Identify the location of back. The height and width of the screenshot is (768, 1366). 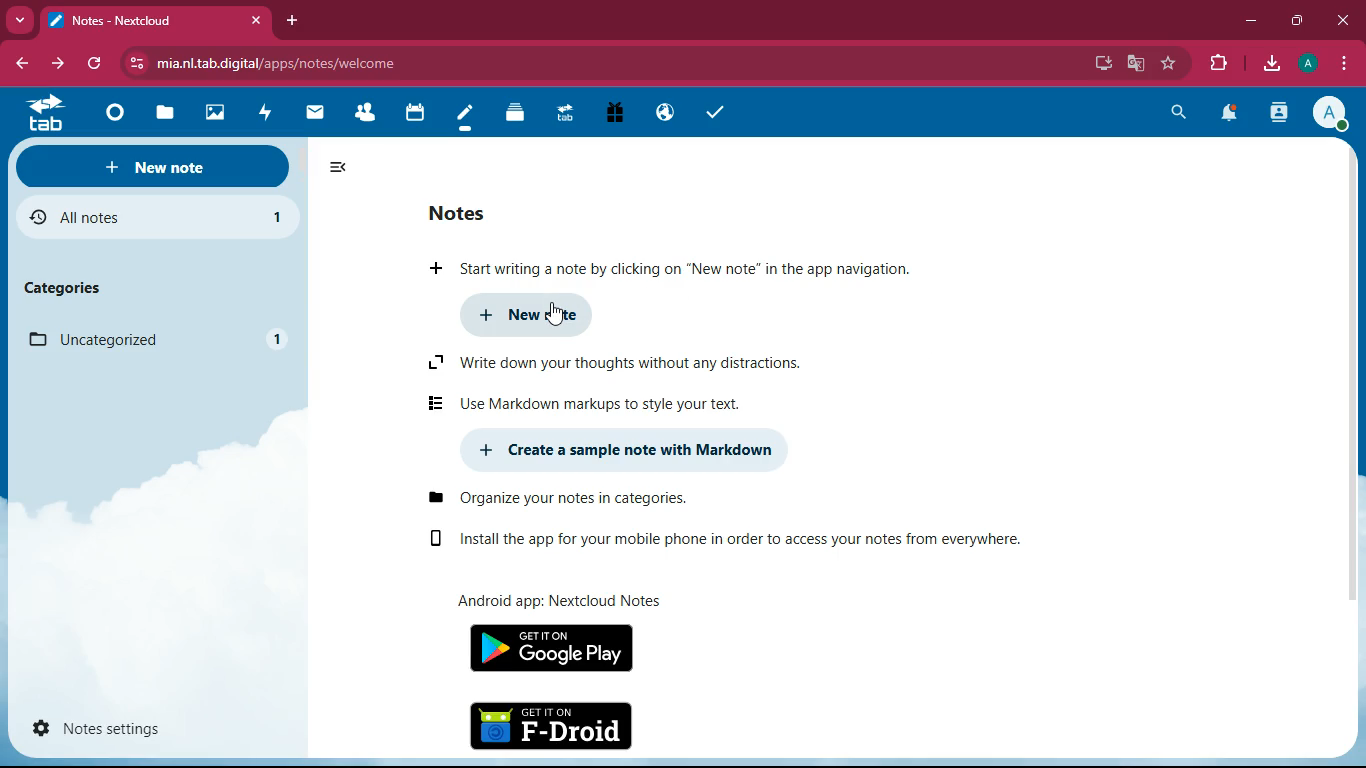
(16, 62).